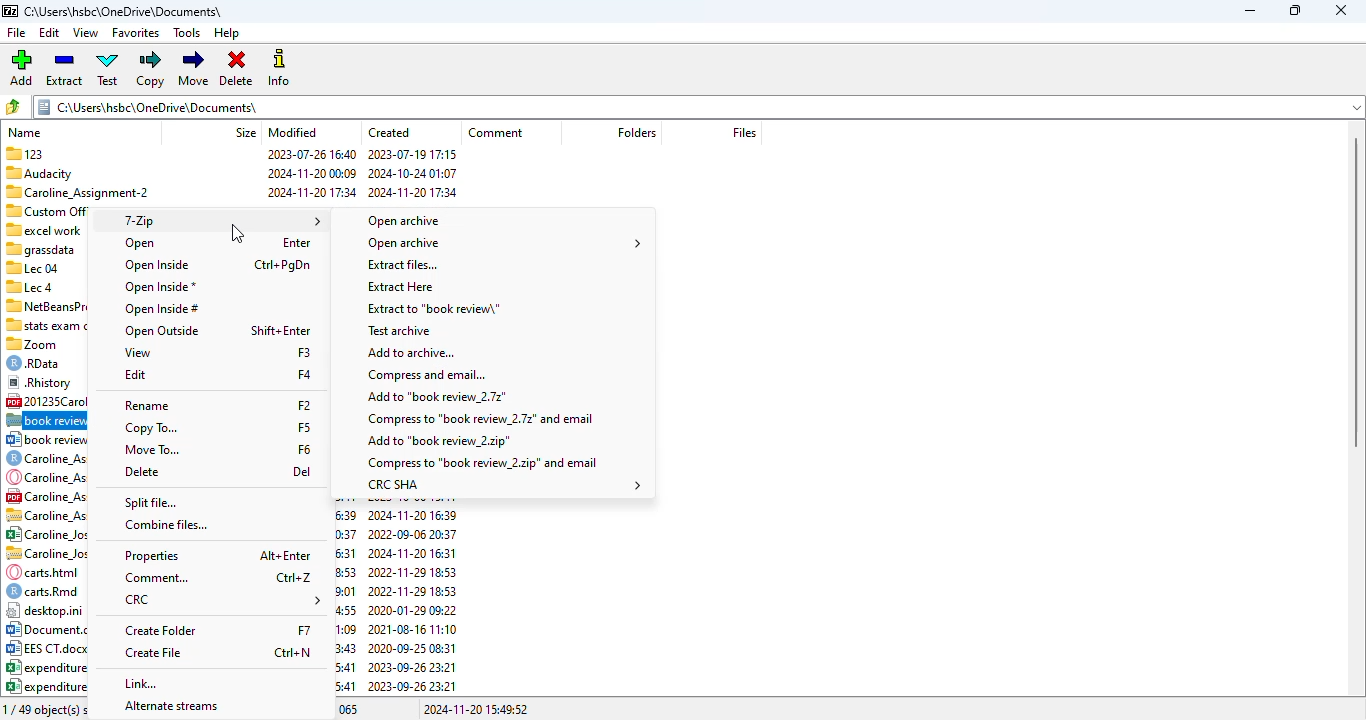 The height and width of the screenshot is (720, 1366). What do you see at coordinates (158, 287) in the screenshot?
I see `open inside*` at bounding box center [158, 287].